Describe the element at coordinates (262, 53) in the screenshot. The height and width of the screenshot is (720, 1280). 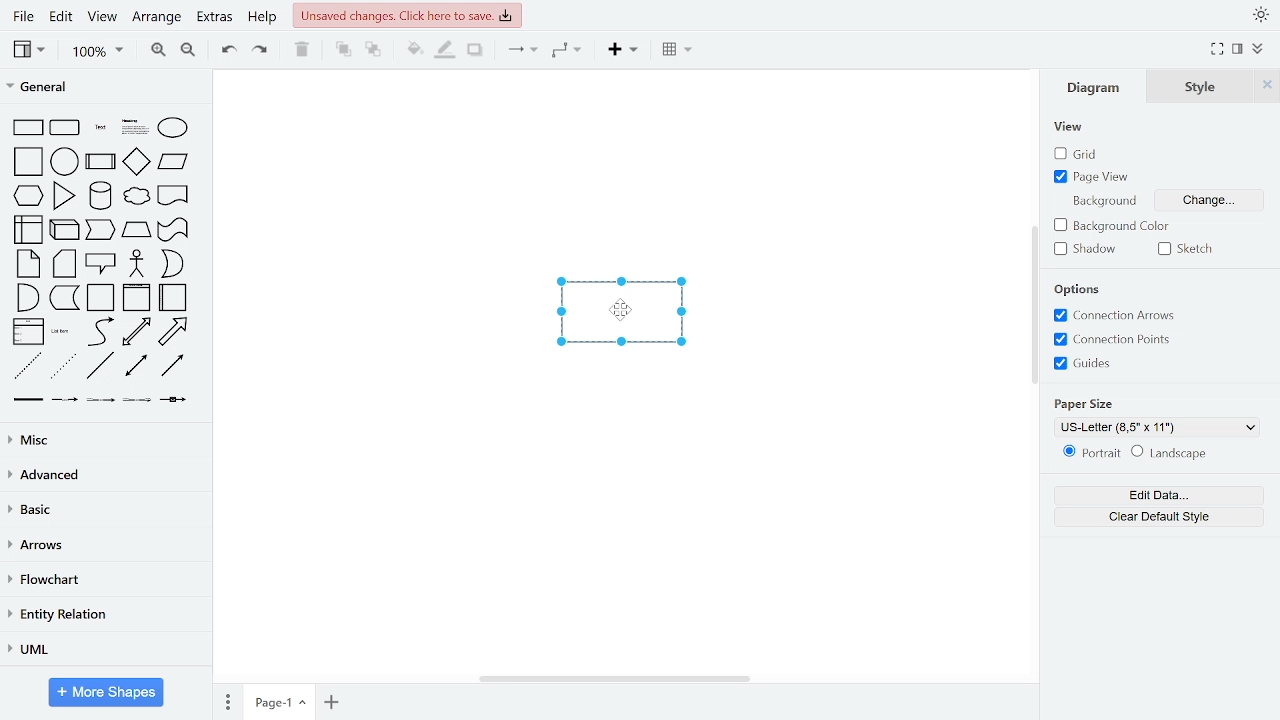
I see `redo` at that location.